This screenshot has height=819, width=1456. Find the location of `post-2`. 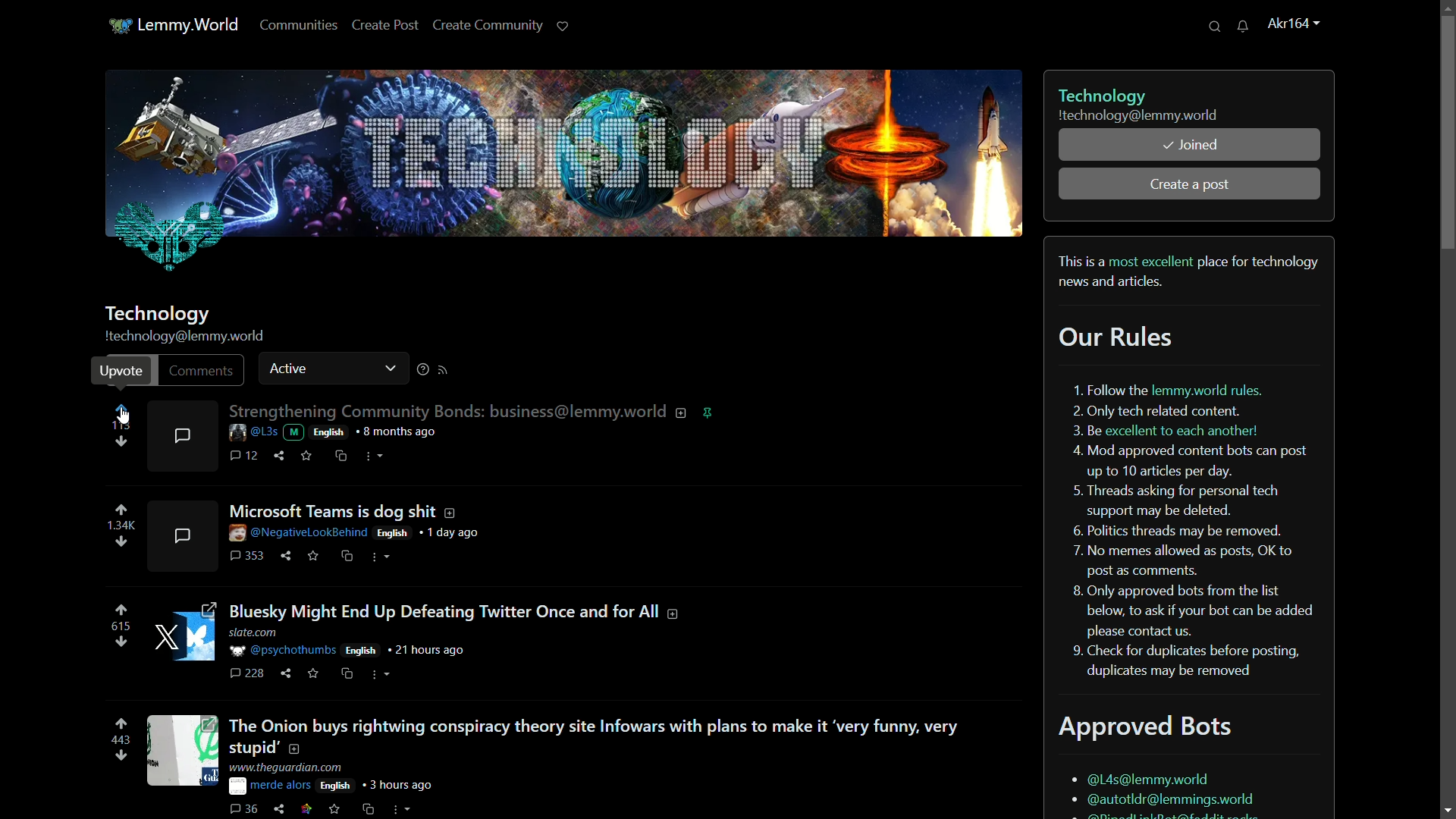

post-2 is located at coordinates (350, 507).